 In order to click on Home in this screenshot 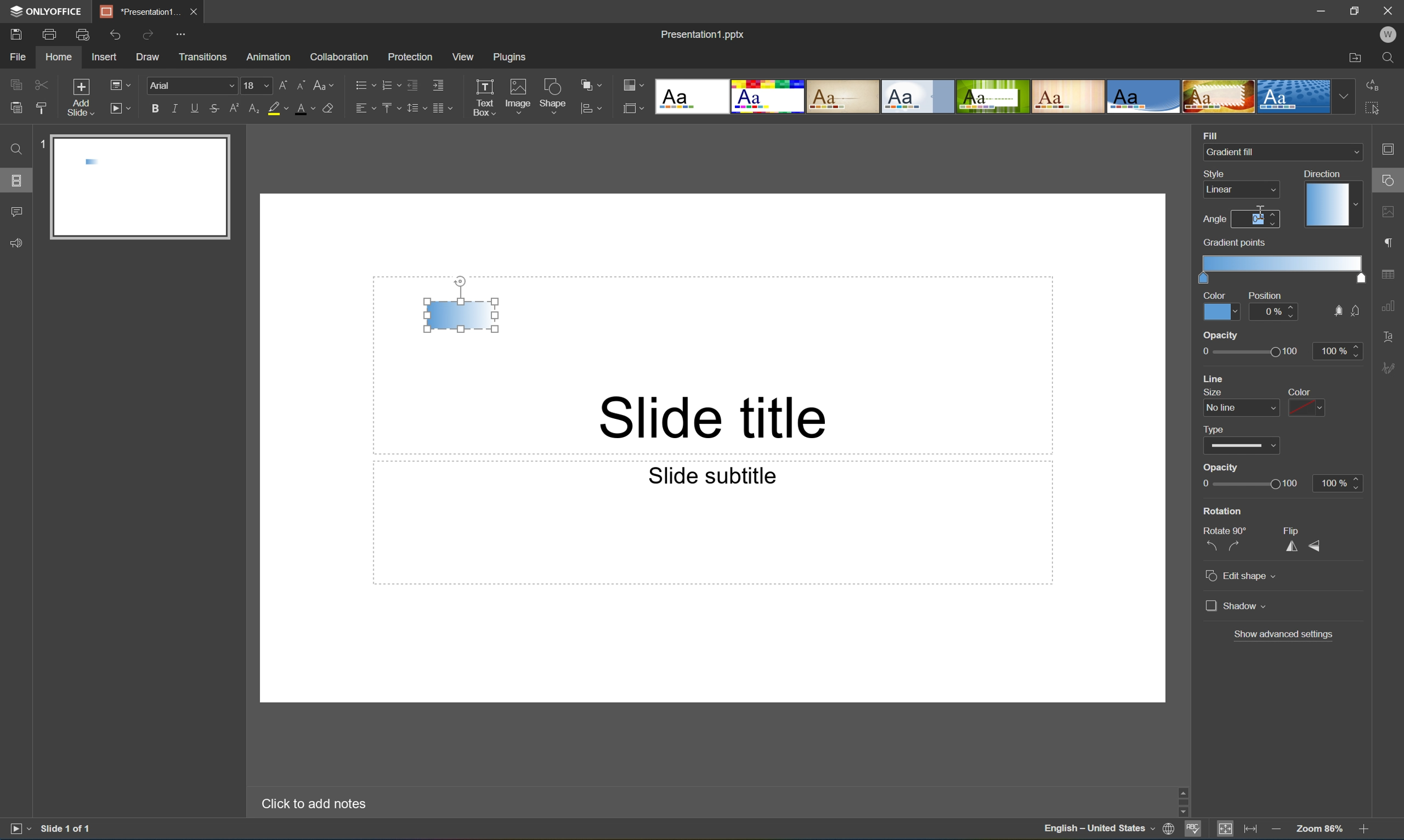, I will do `click(58, 58)`.